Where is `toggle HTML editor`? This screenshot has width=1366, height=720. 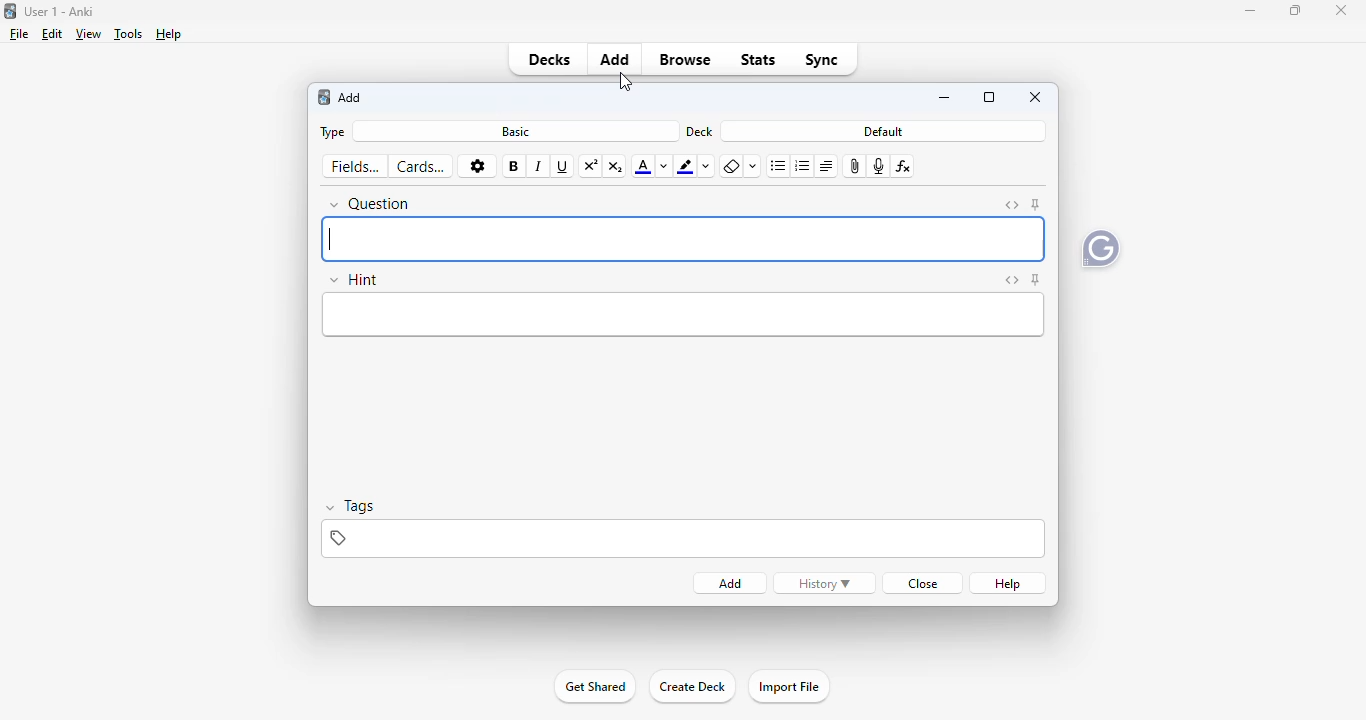 toggle HTML editor is located at coordinates (1013, 206).